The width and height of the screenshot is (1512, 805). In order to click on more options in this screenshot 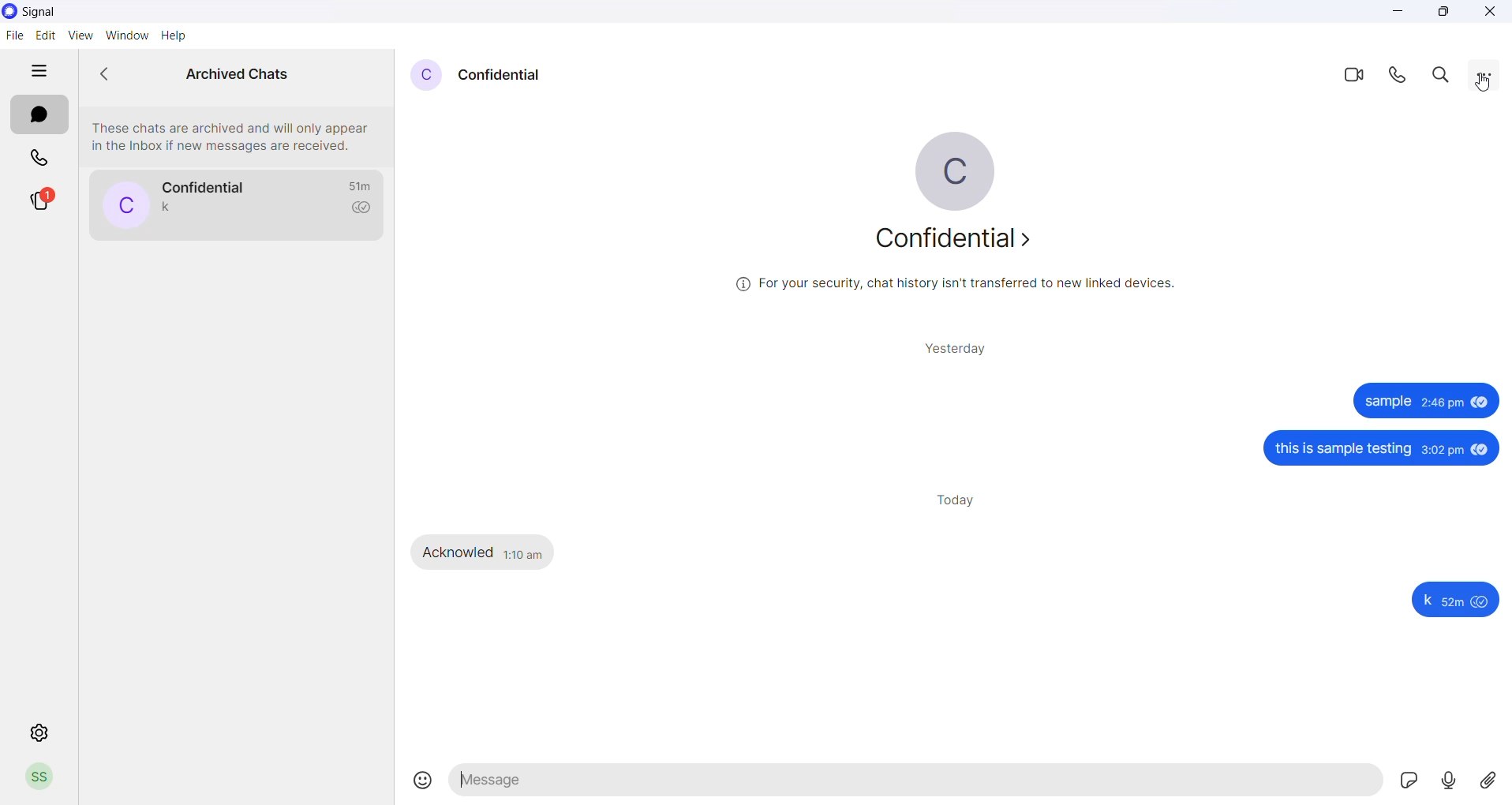, I will do `click(1485, 75)`.